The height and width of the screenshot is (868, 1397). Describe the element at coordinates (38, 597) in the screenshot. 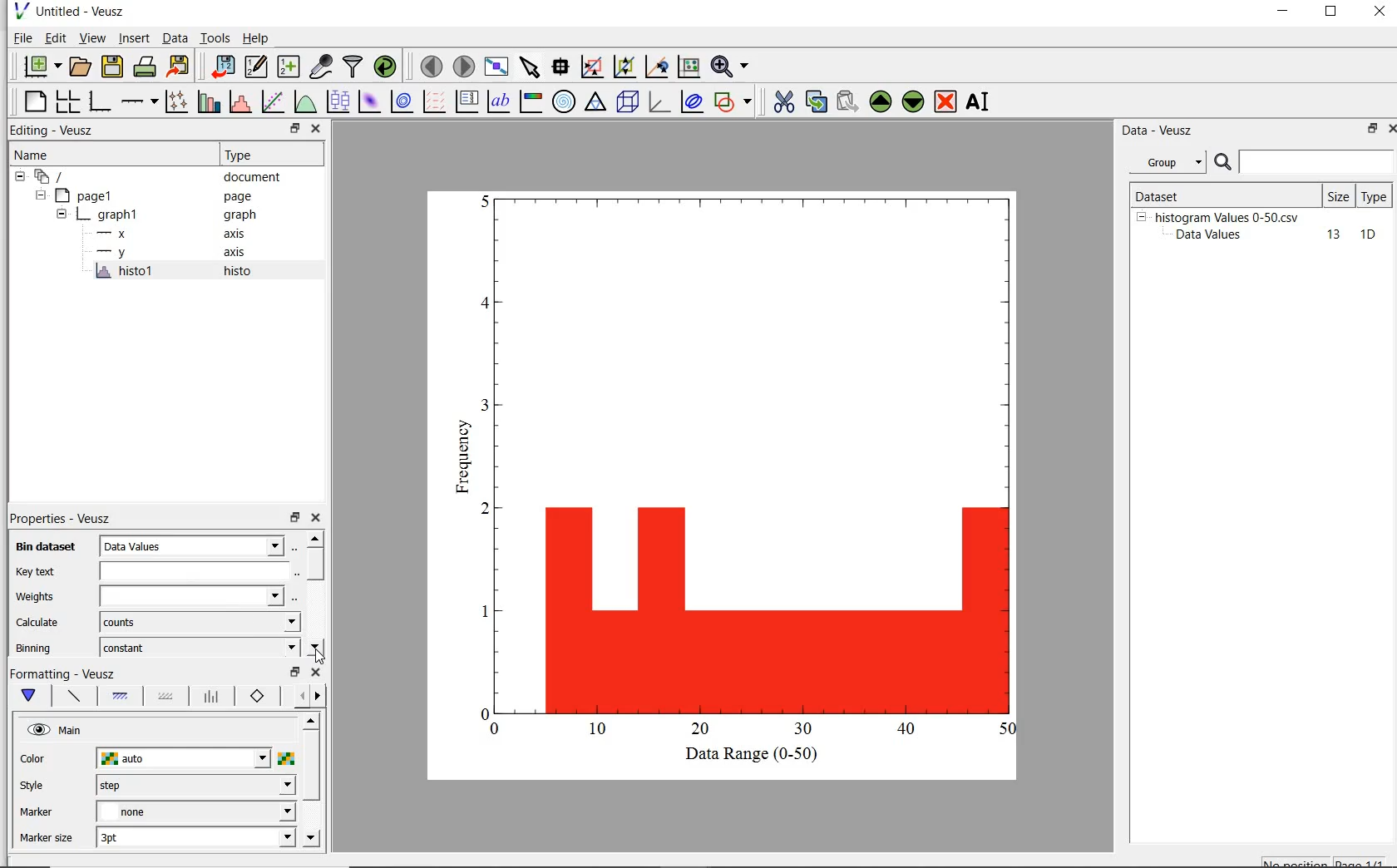

I see `Weights` at that location.